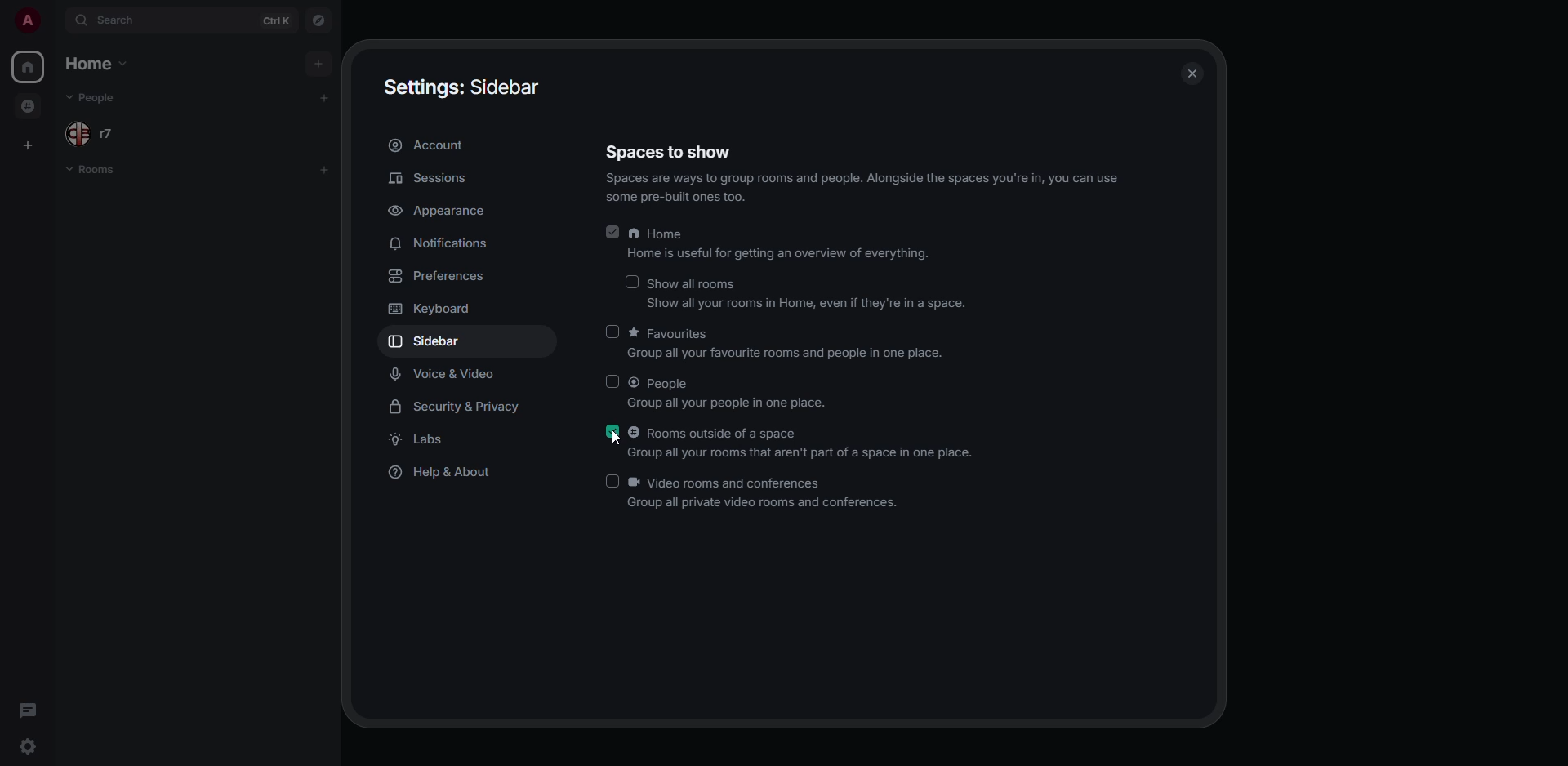 The height and width of the screenshot is (766, 1568). I want to click on rooms outside of a space, so click(31, 105).